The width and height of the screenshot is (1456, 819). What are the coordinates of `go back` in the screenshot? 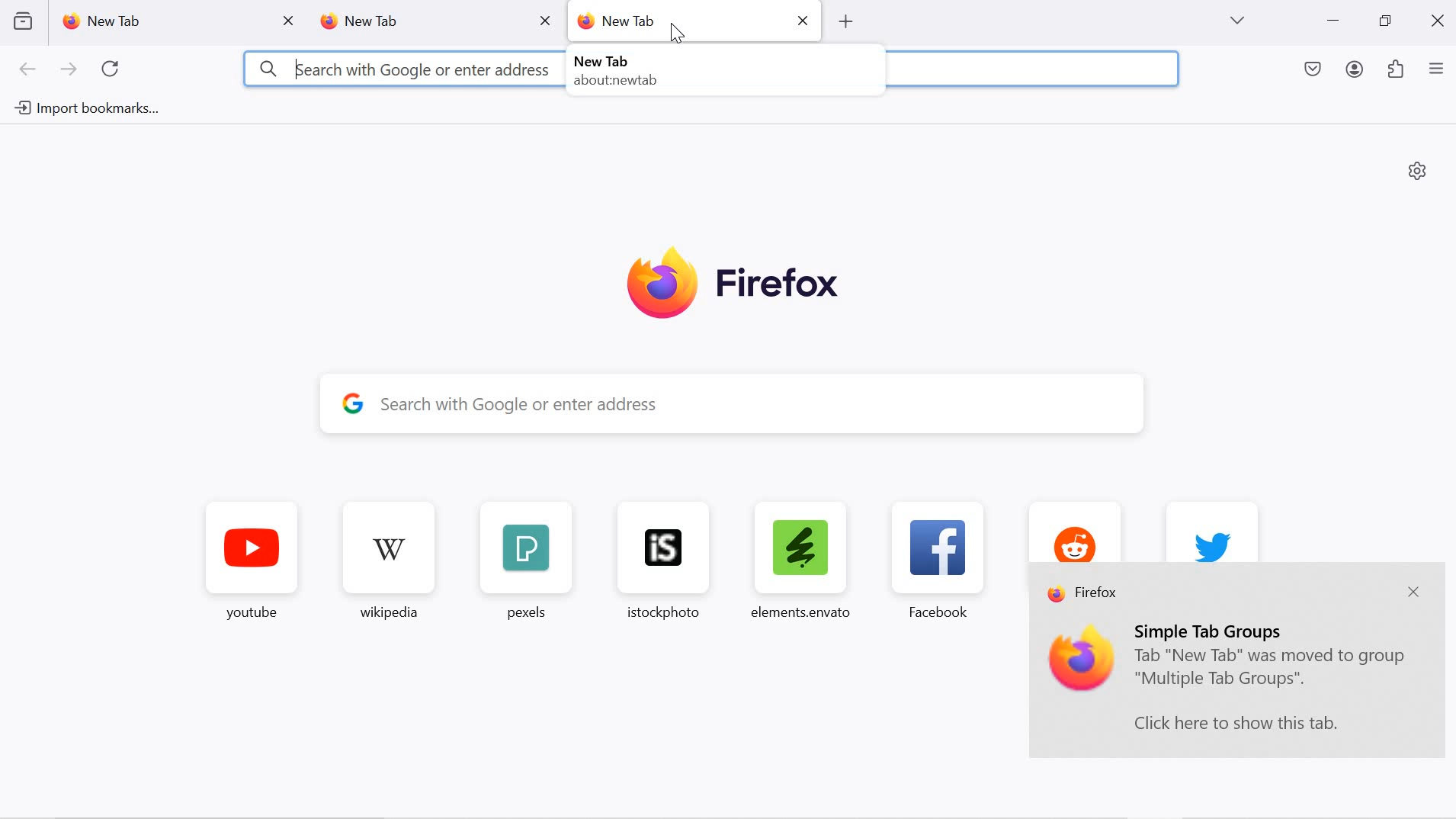 It's located at (28, 70).